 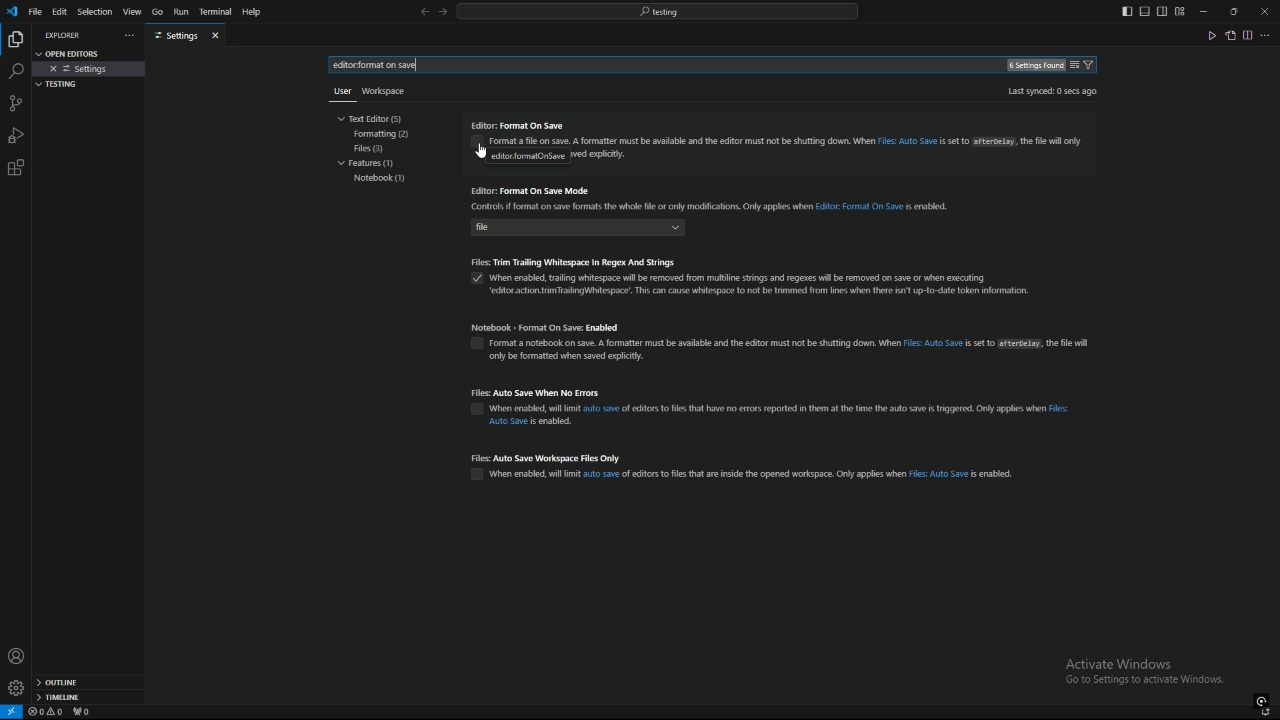 What do you see at coordinates (1262, 700) in the screenshot?
I see `GO LIVE` at bounding box center [1262, 700].